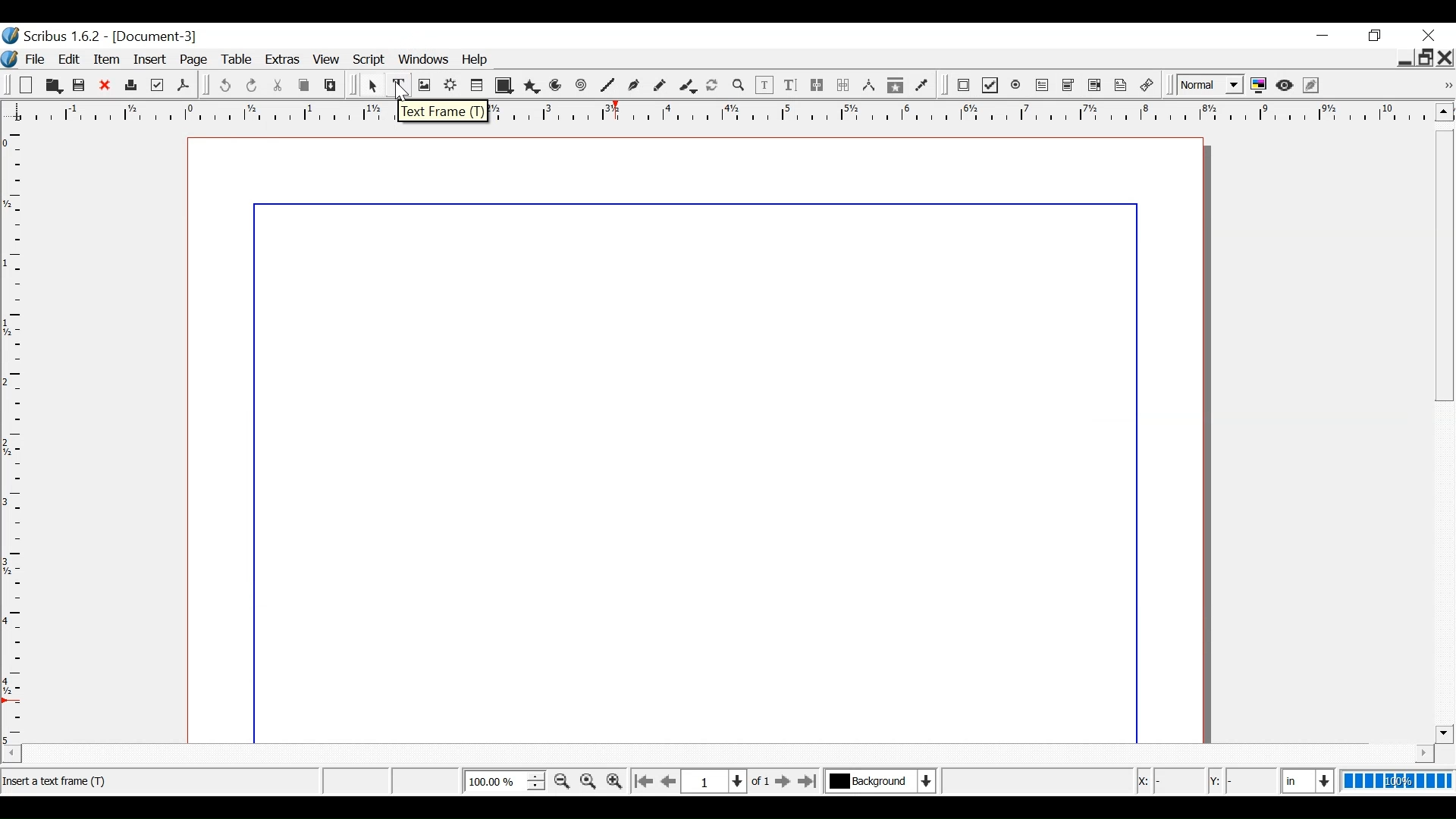  I want to click on Redo, so click(253, 84).